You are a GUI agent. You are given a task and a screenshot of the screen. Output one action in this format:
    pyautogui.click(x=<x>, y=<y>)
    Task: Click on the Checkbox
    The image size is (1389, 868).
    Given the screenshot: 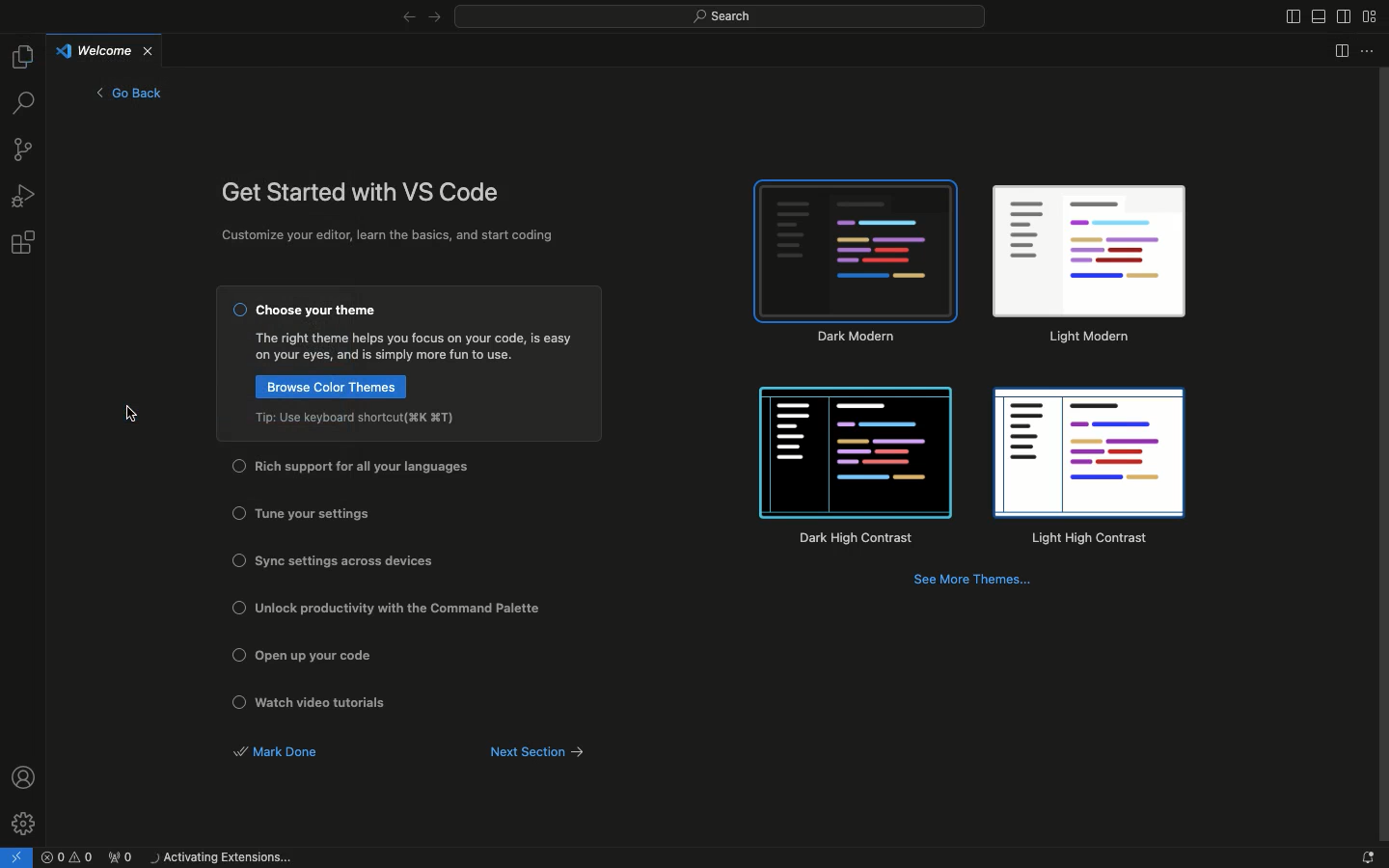 What is the action you would take?
    pyautogui.click(x=236, y=466)
    